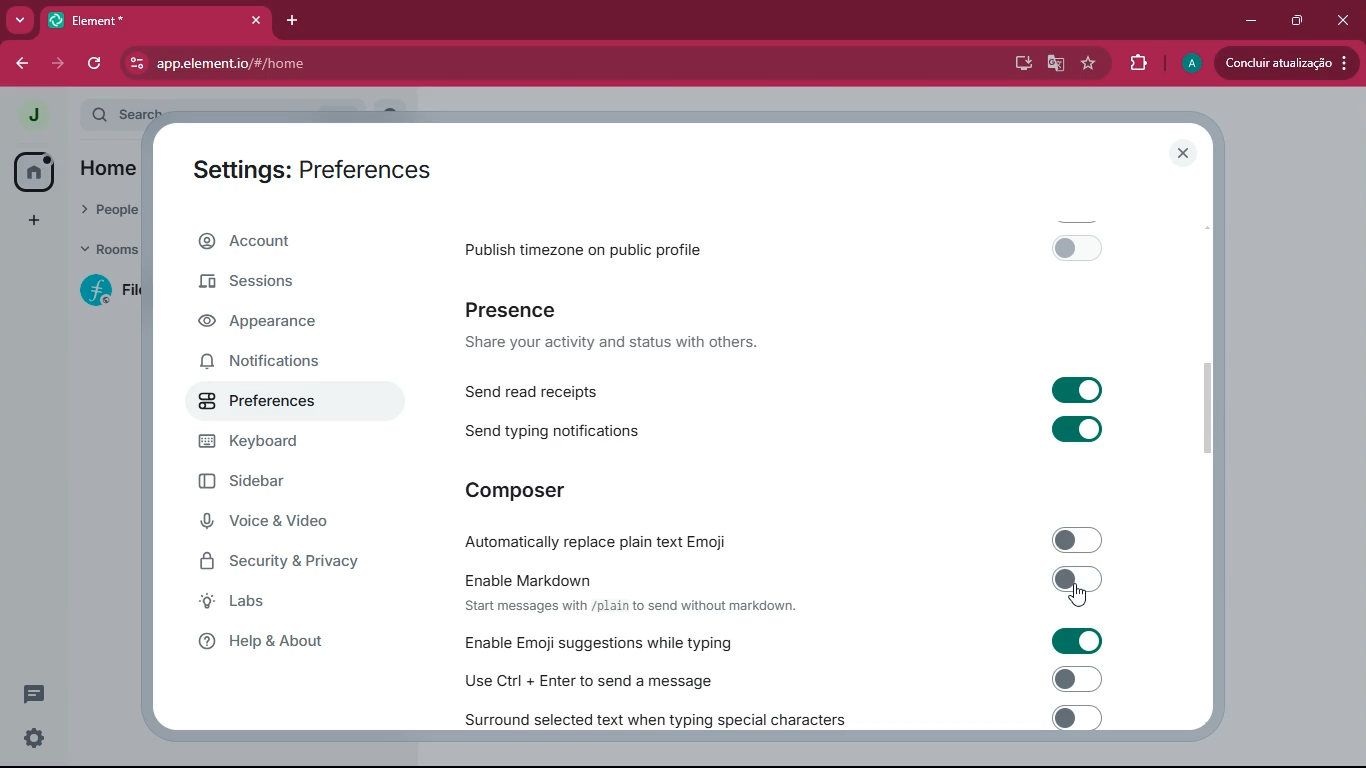 The width and height of the screenshot is (1366, 768). Describe the element at coordinates (254, 288) in the screenshot. I see `sessions` at that location.